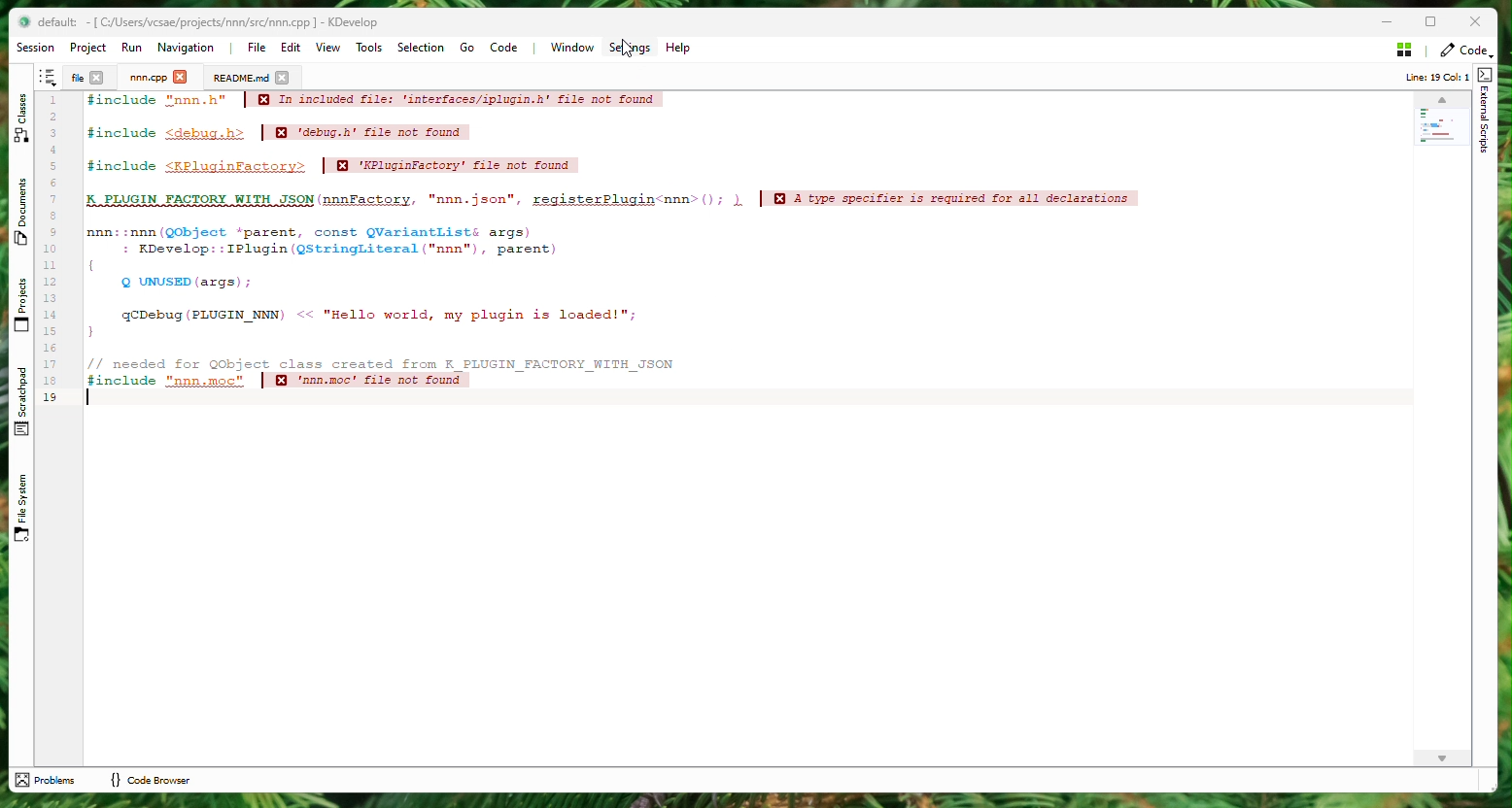 This screenshot has height=808, width=1512. I want to click on close, so click(98, 78).